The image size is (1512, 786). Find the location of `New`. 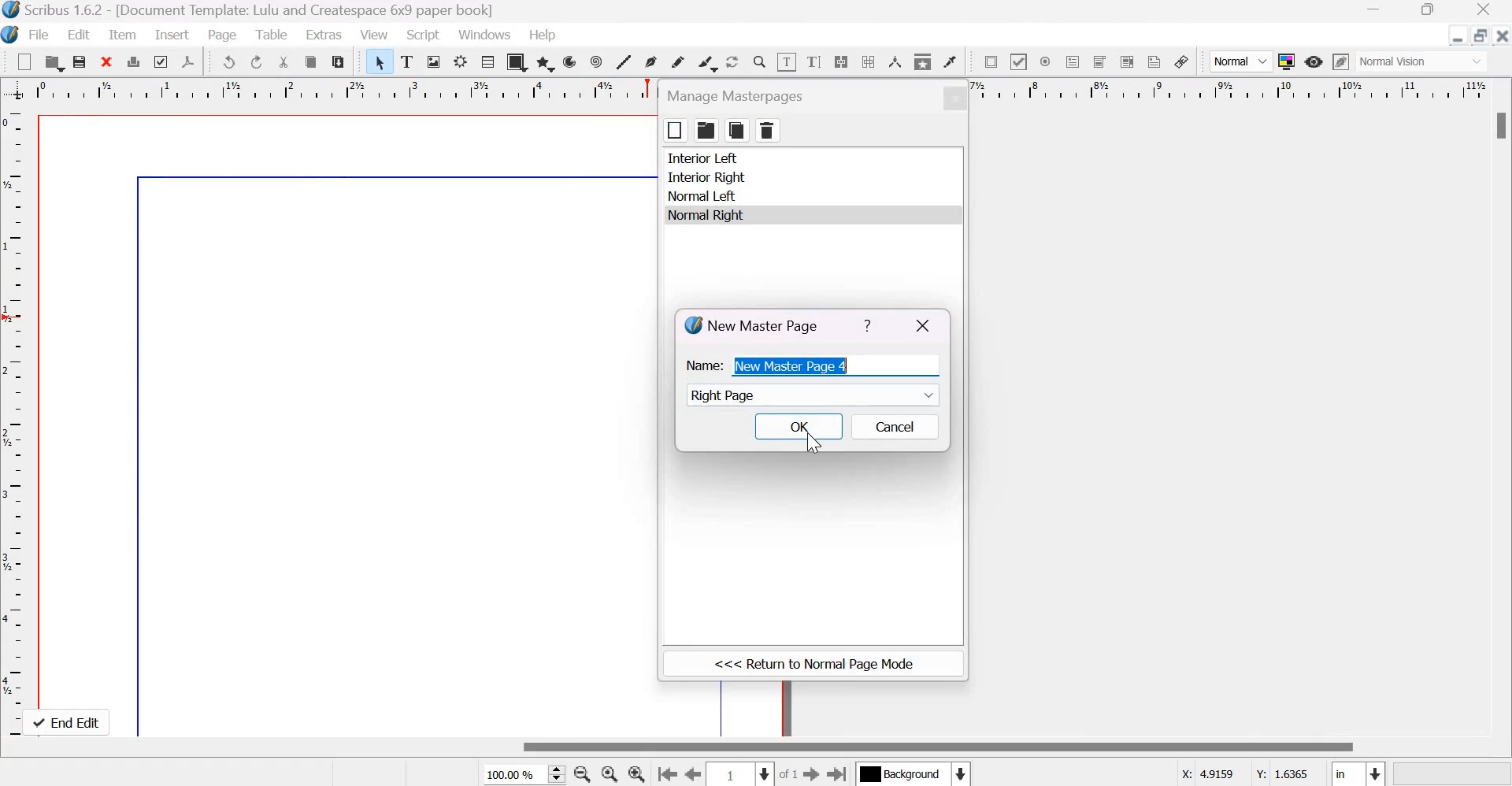

New is located at coordinates (24, 61).